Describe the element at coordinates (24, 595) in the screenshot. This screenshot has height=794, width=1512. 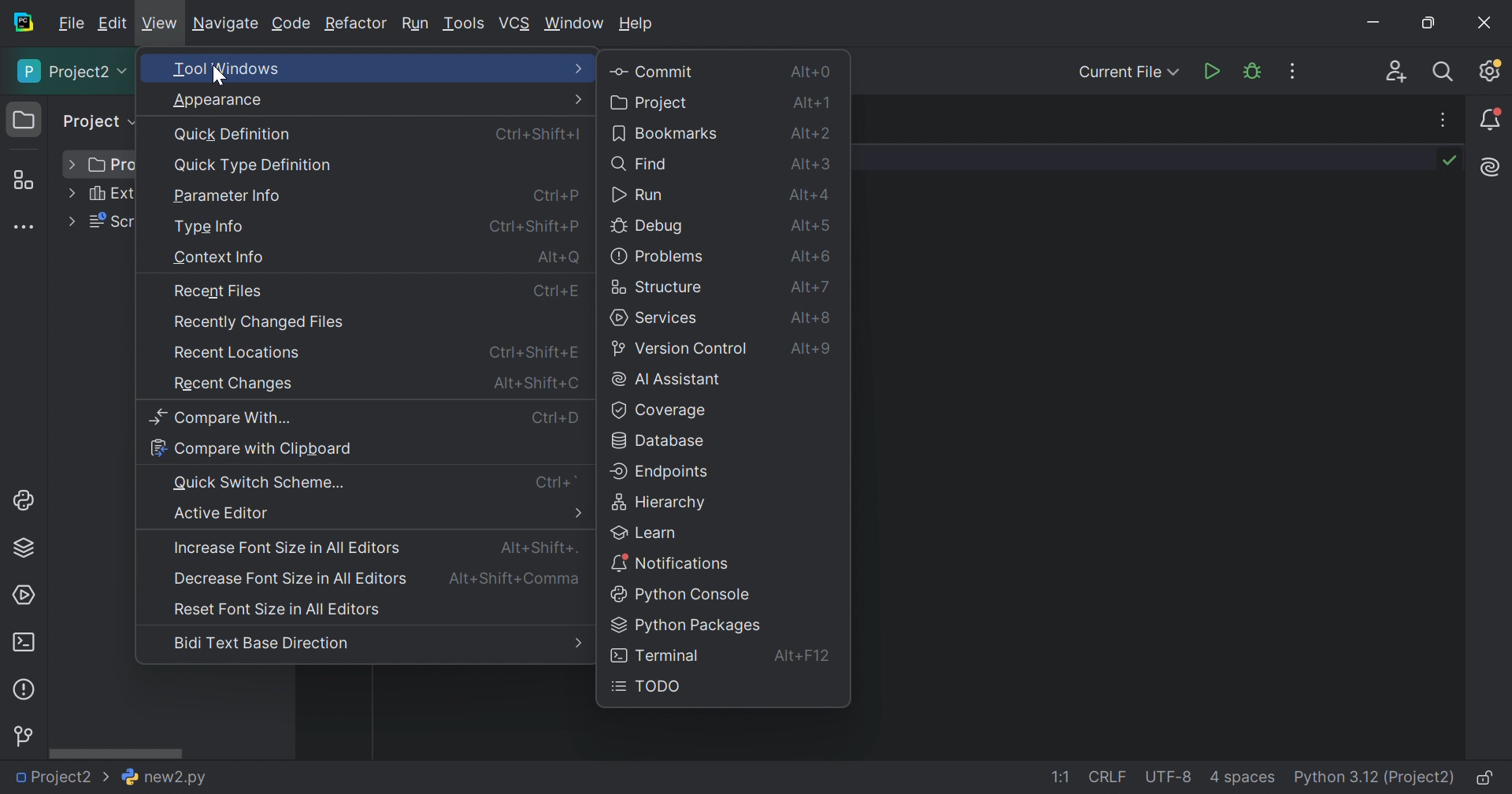
I see `Services` at that location.